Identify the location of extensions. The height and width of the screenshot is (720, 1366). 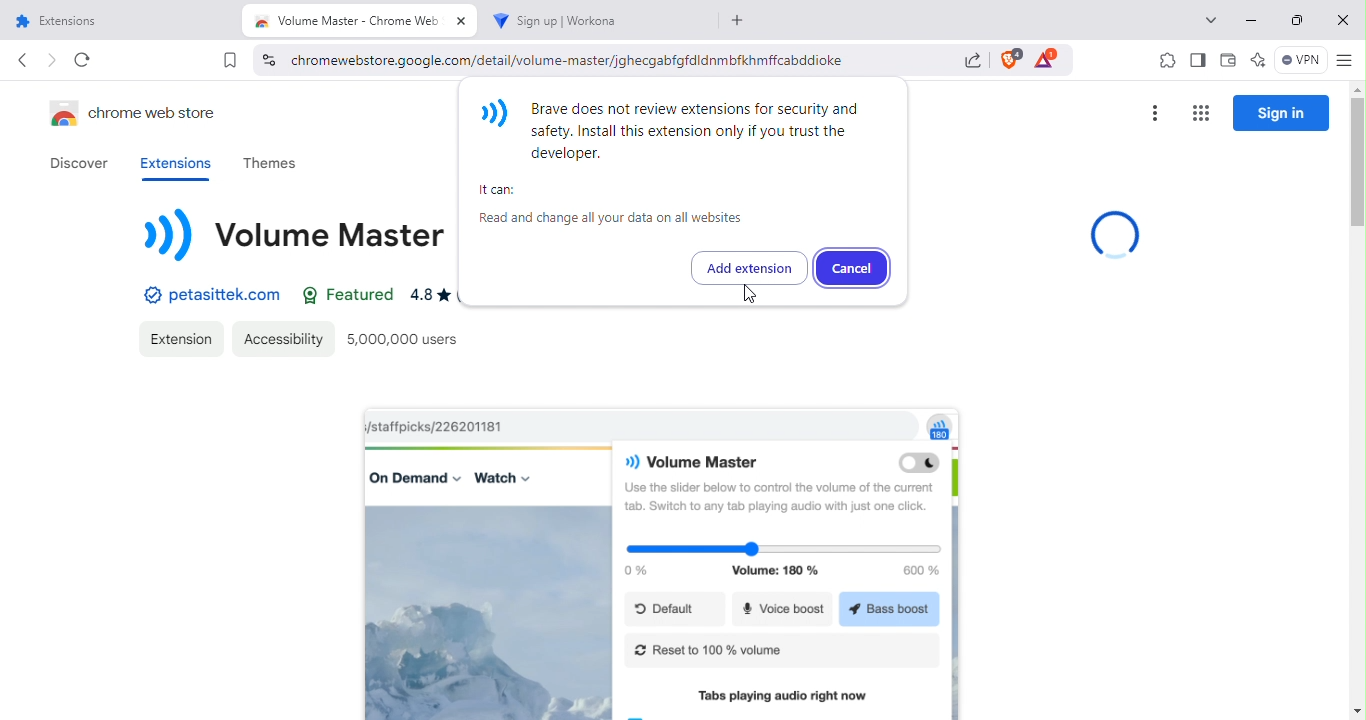
(172, 164).